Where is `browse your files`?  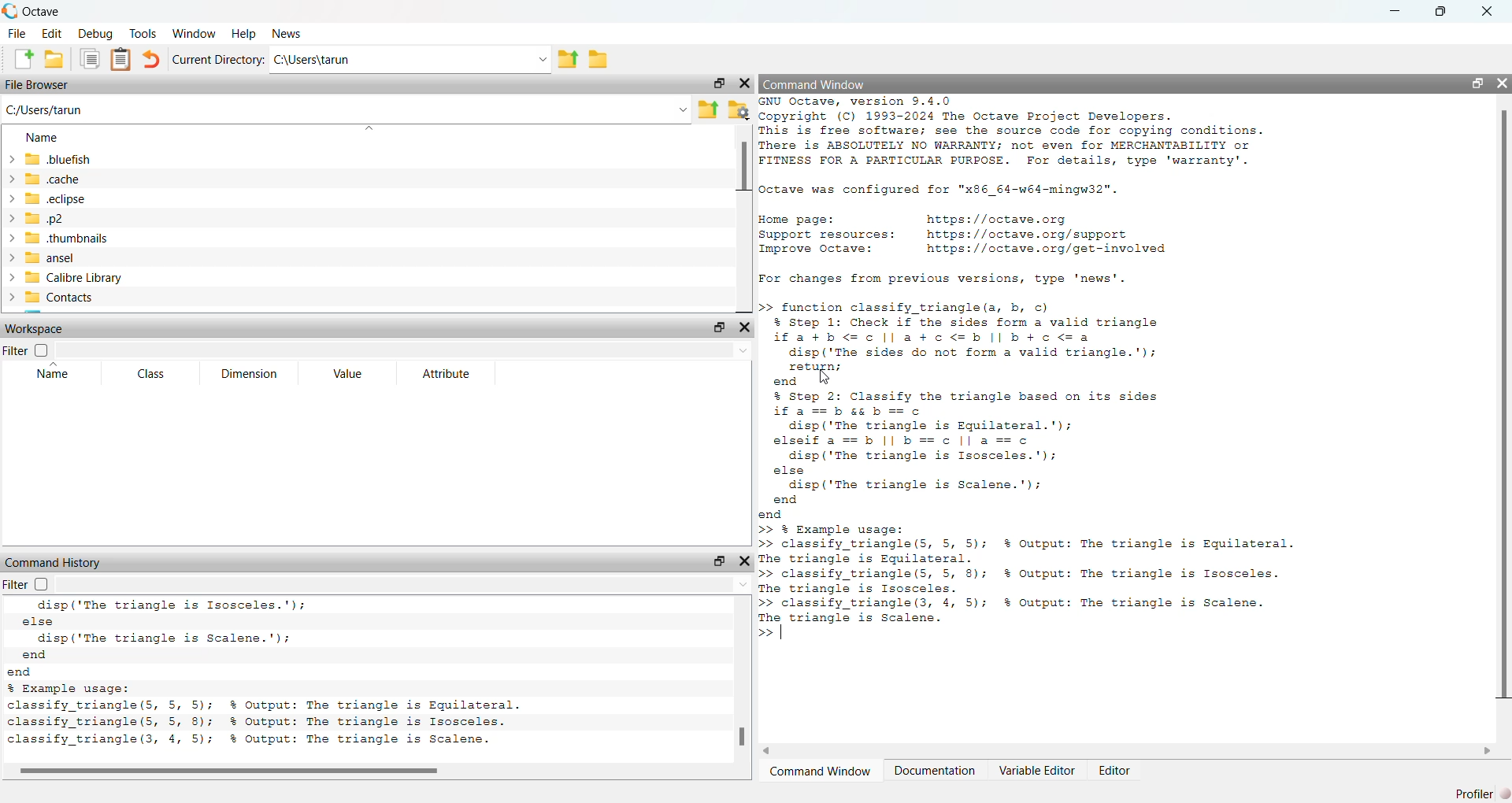
browse your files is located at coordinates (739, 109).